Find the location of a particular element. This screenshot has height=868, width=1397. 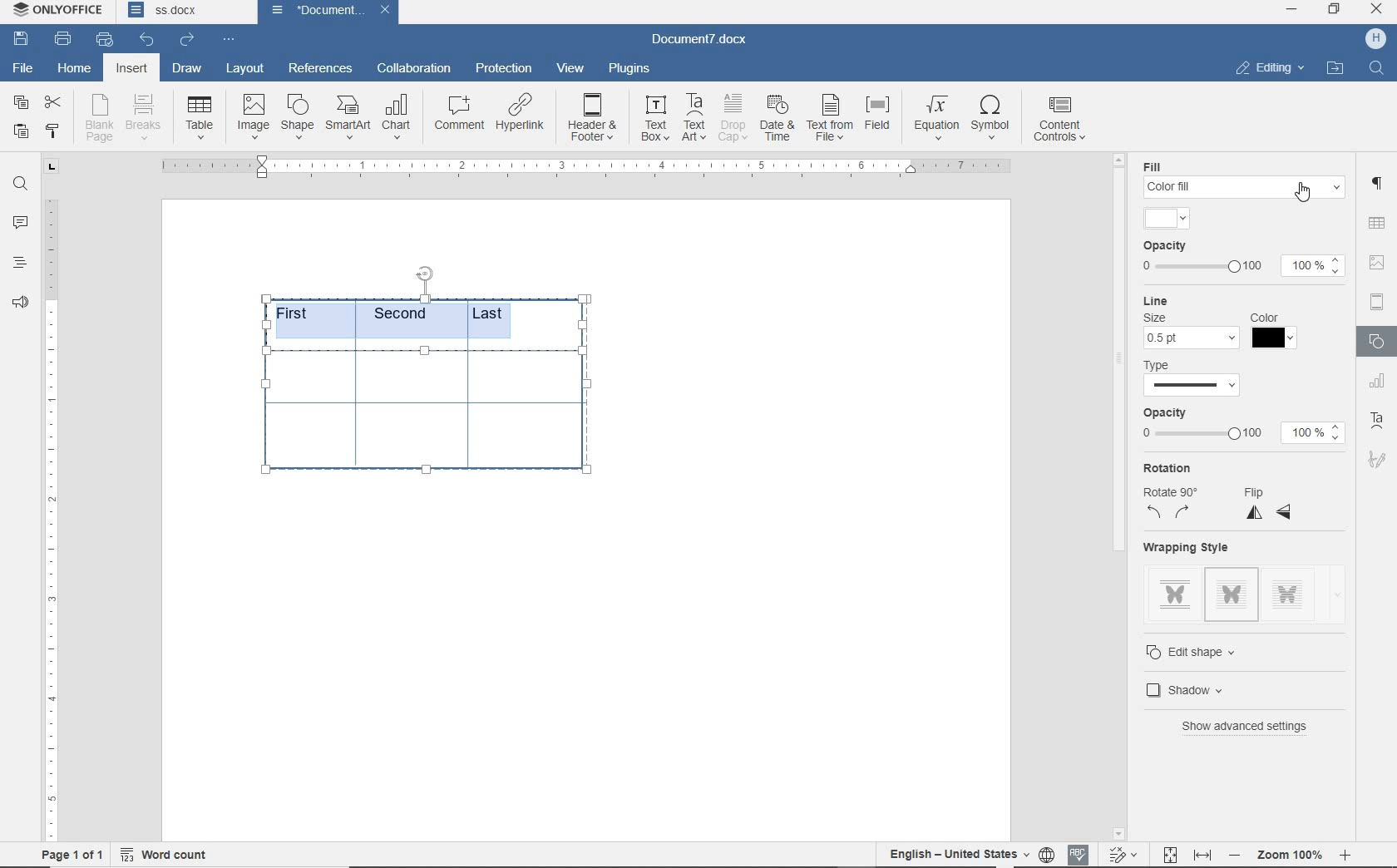

0.5 pt is located at coordinates (1192, 340).